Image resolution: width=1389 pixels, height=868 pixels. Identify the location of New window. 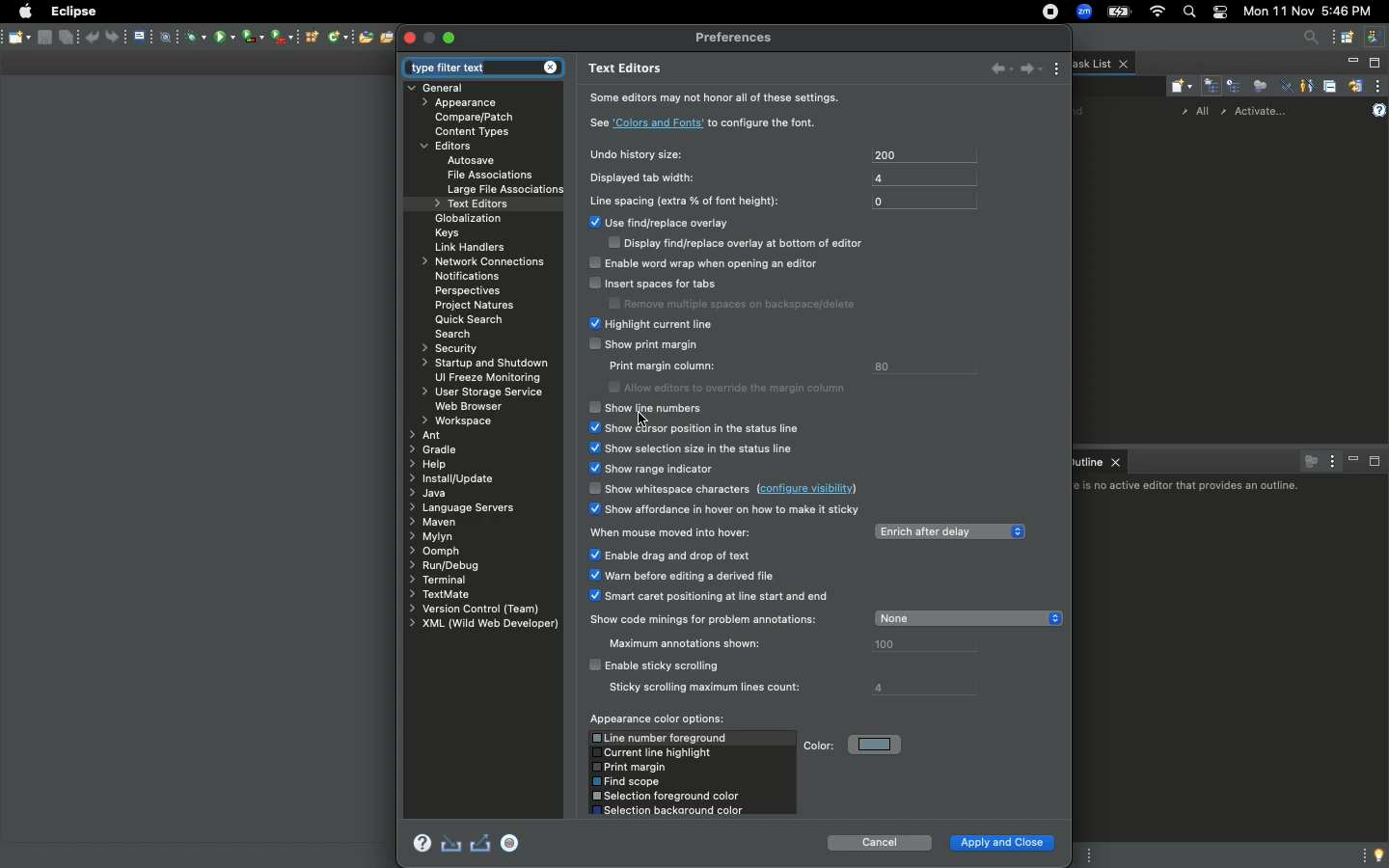
(1362, 37).